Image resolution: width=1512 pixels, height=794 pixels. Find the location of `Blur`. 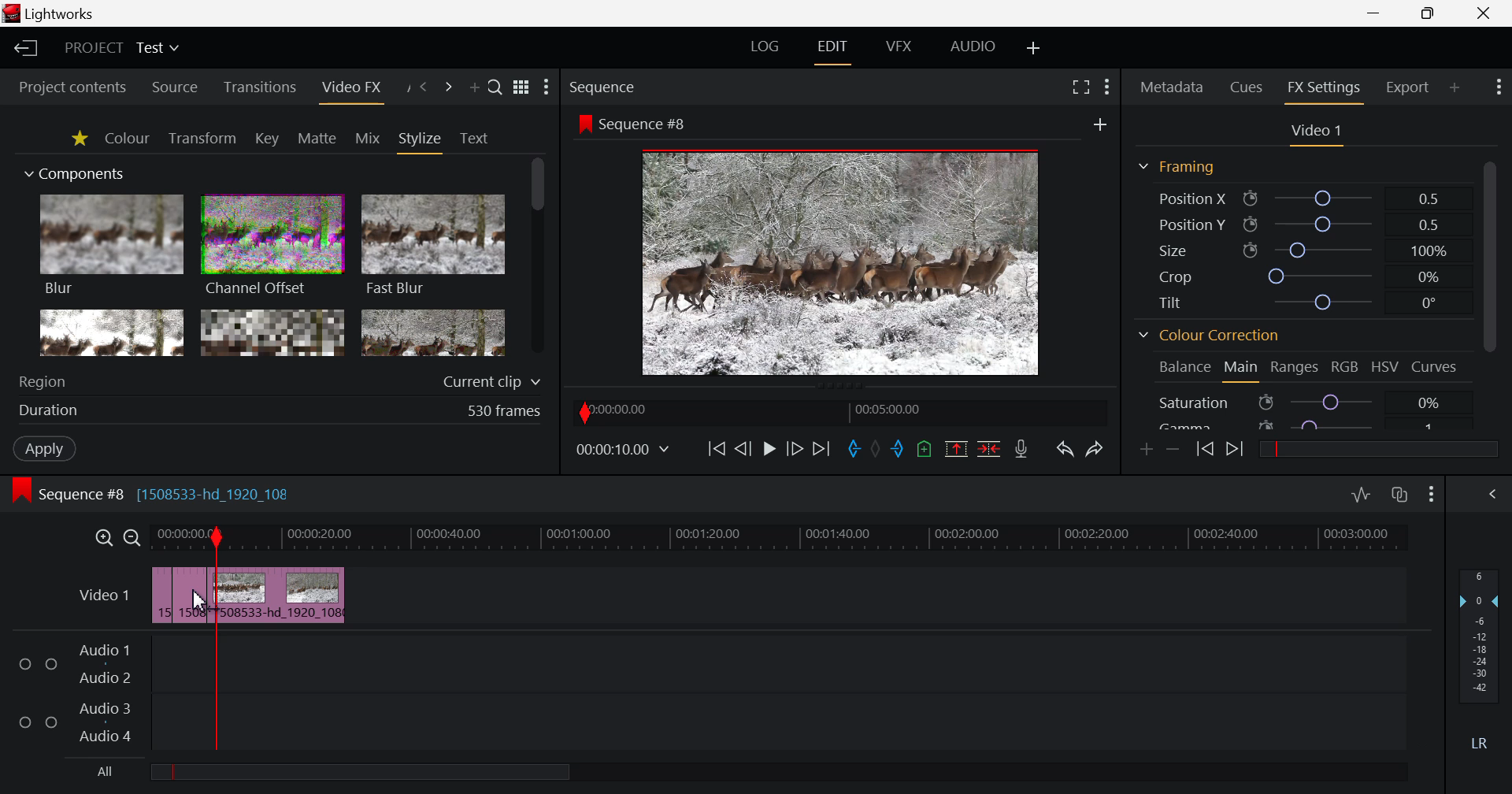

Blur is located at coordinates (113, 247).